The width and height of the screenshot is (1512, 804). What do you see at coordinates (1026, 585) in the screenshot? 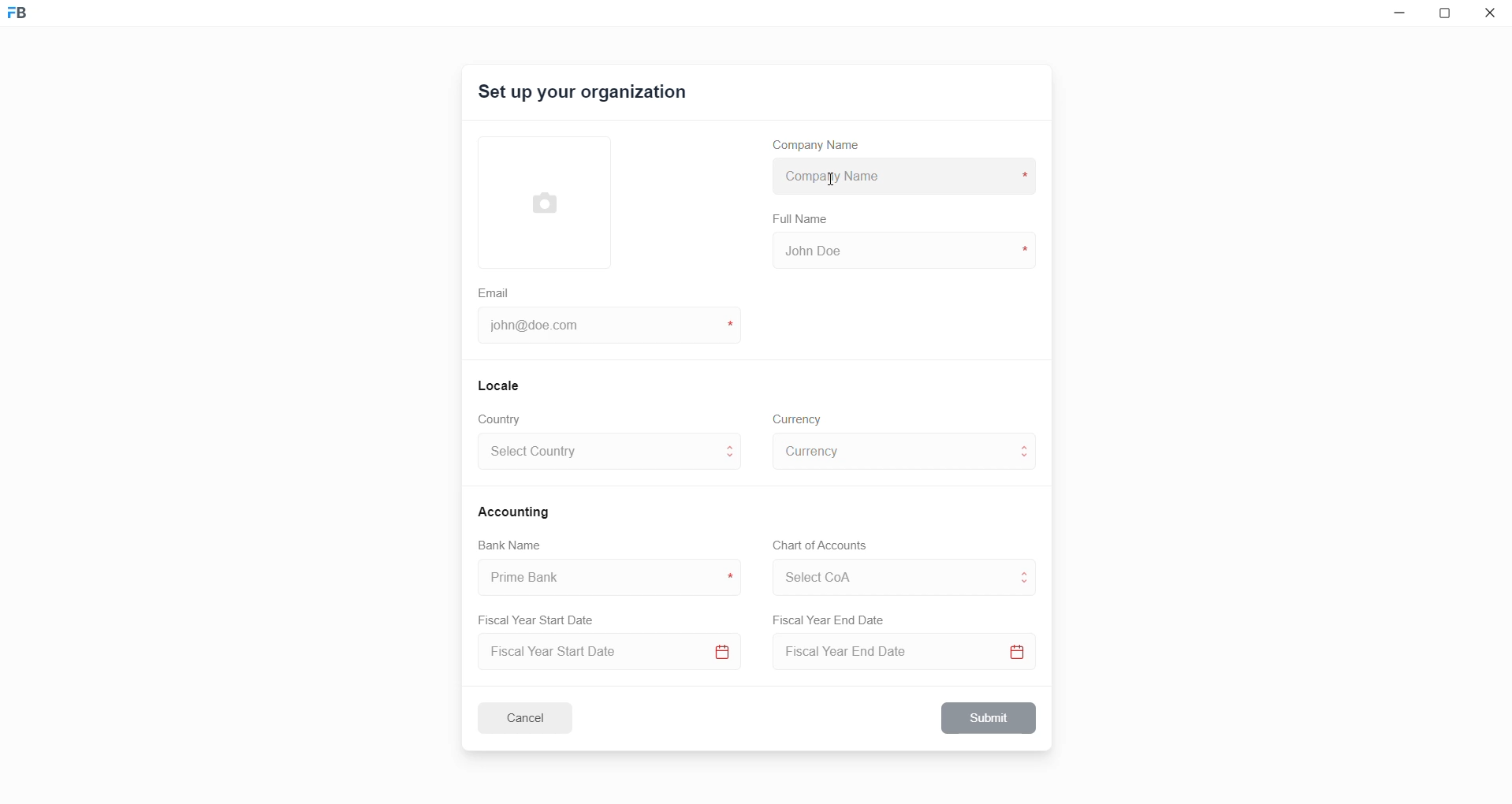
I see `move to below CoA` at bounding box center [1026, 585].